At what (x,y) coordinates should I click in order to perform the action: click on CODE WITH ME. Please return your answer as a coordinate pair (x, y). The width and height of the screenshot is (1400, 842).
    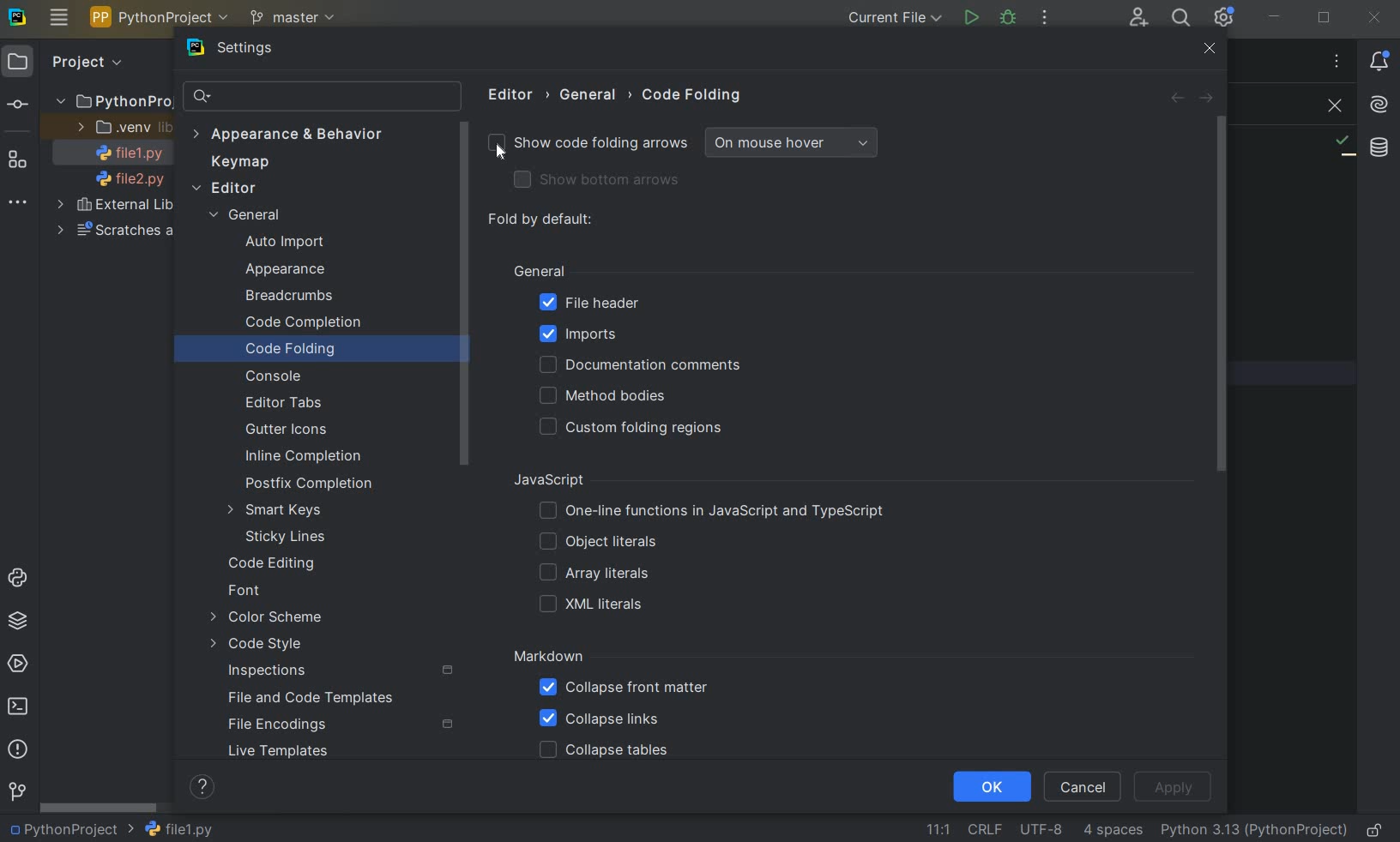
    Looking at the image, I should click on (1137, 17).